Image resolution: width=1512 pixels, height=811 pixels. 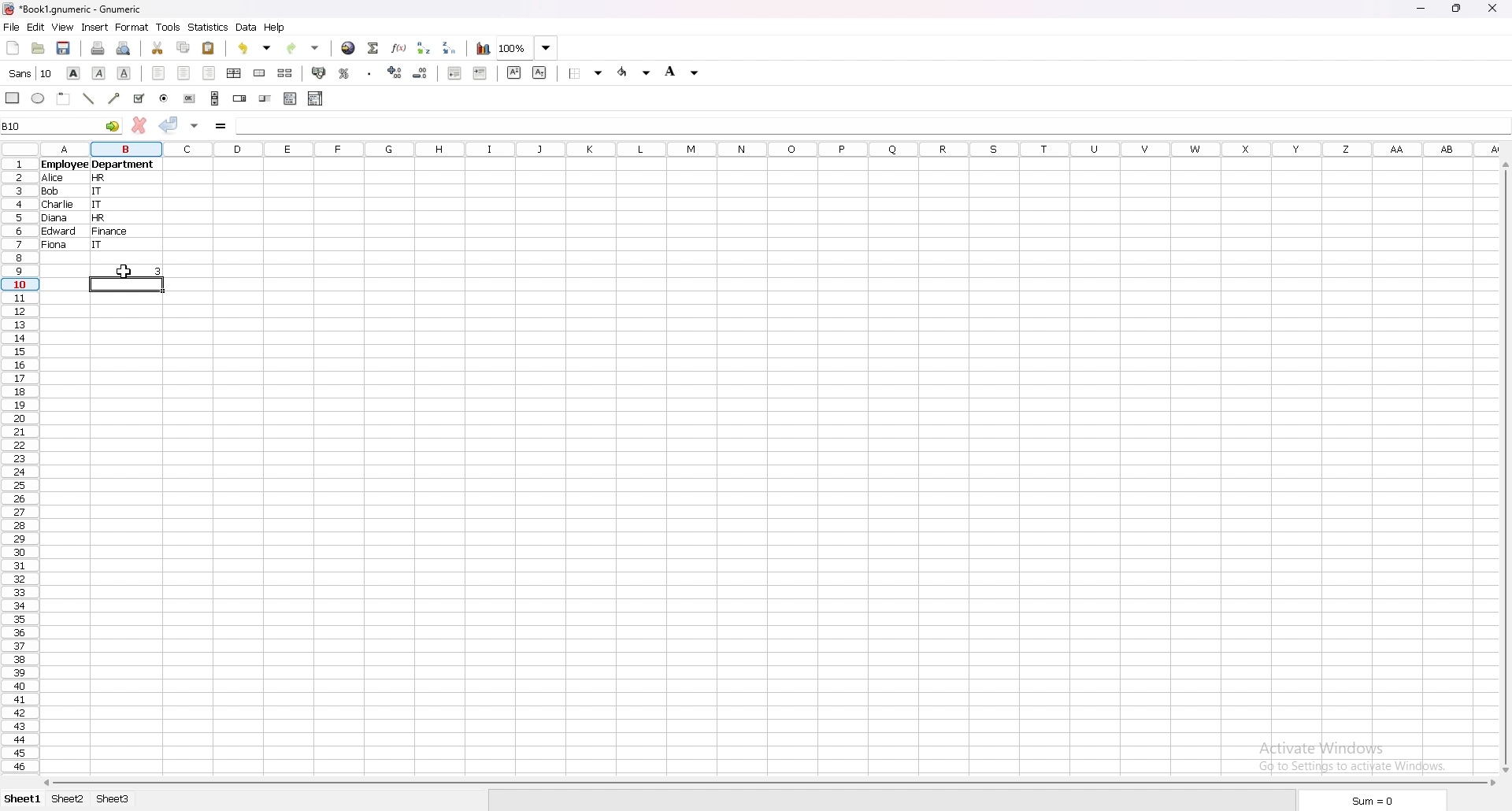 I want to click on data, so click(x=248, y=27).